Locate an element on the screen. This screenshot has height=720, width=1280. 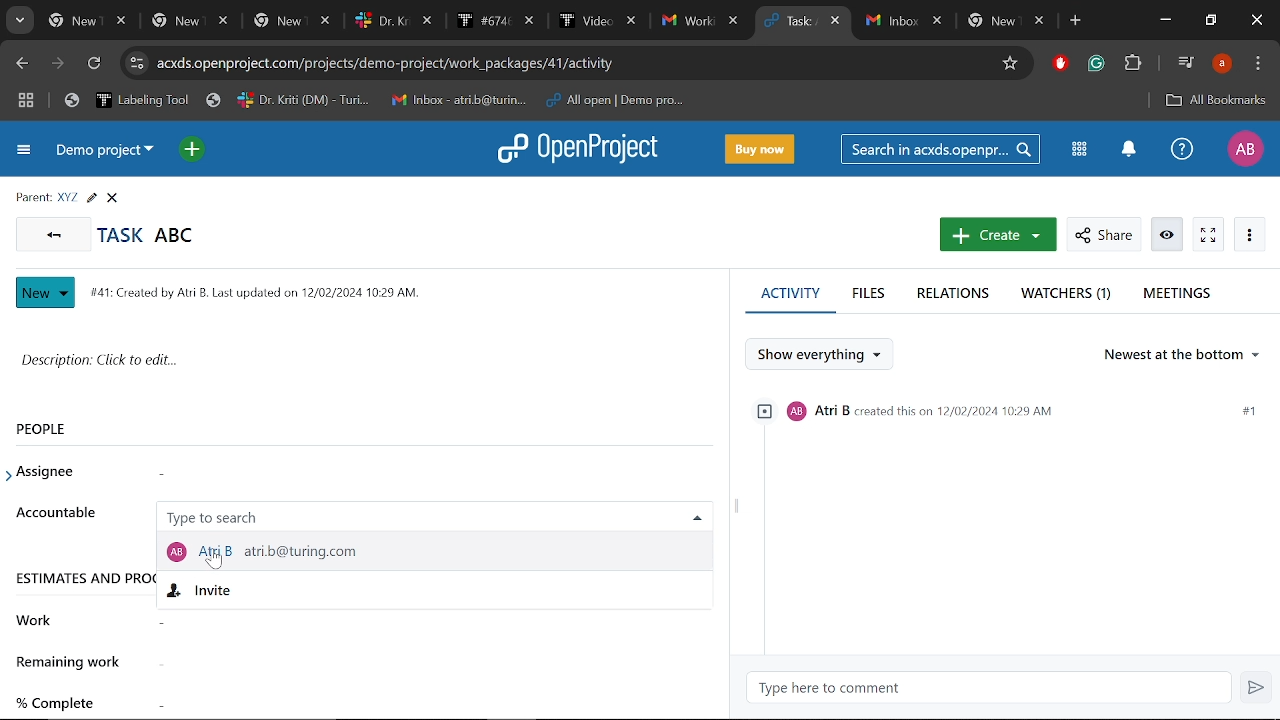
Current tab is located at coordinates (790, 21).